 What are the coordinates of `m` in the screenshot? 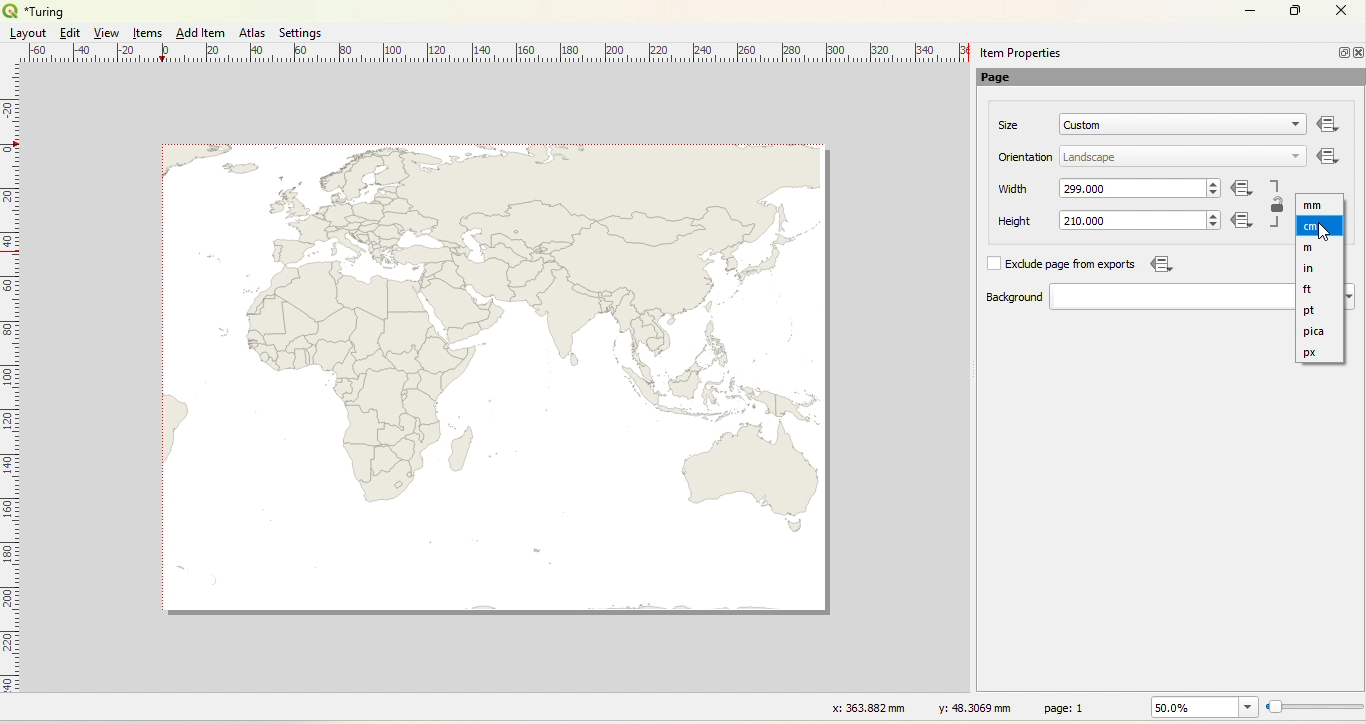 It's located at (1311, 247).